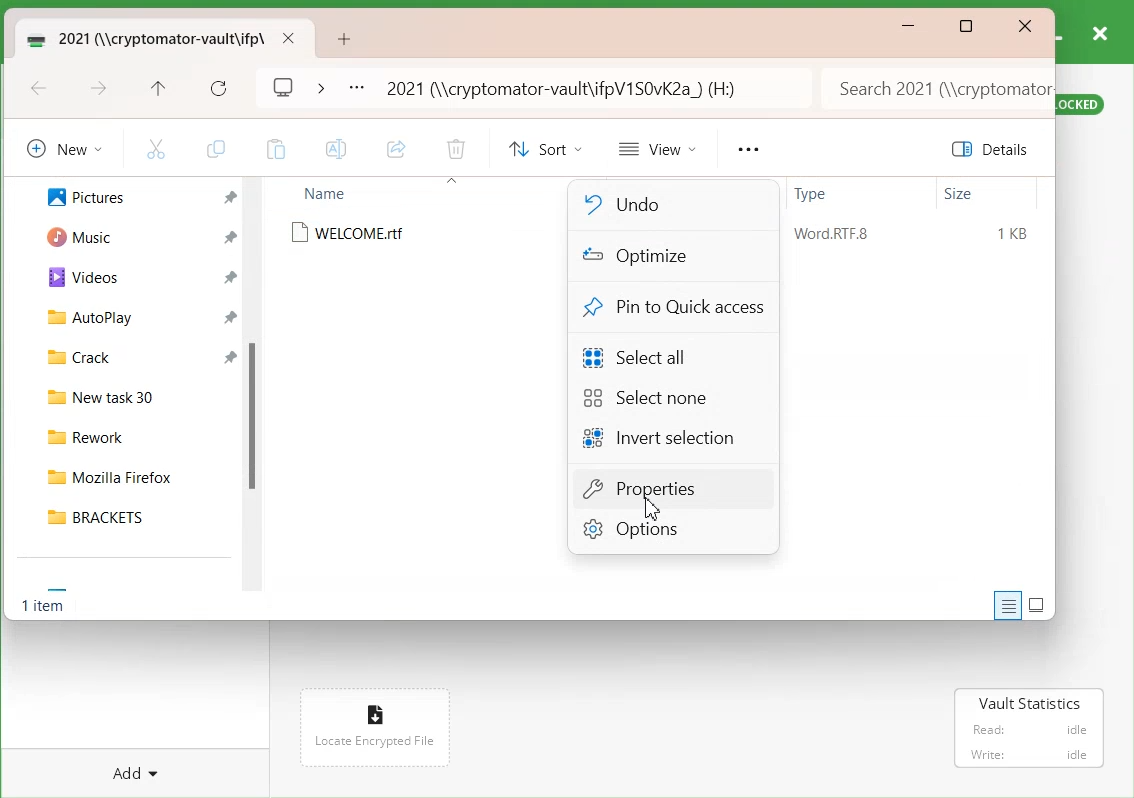  Describe the element at coordinates (231, 198) in the screenshot. I see `Pin a file` at that location.